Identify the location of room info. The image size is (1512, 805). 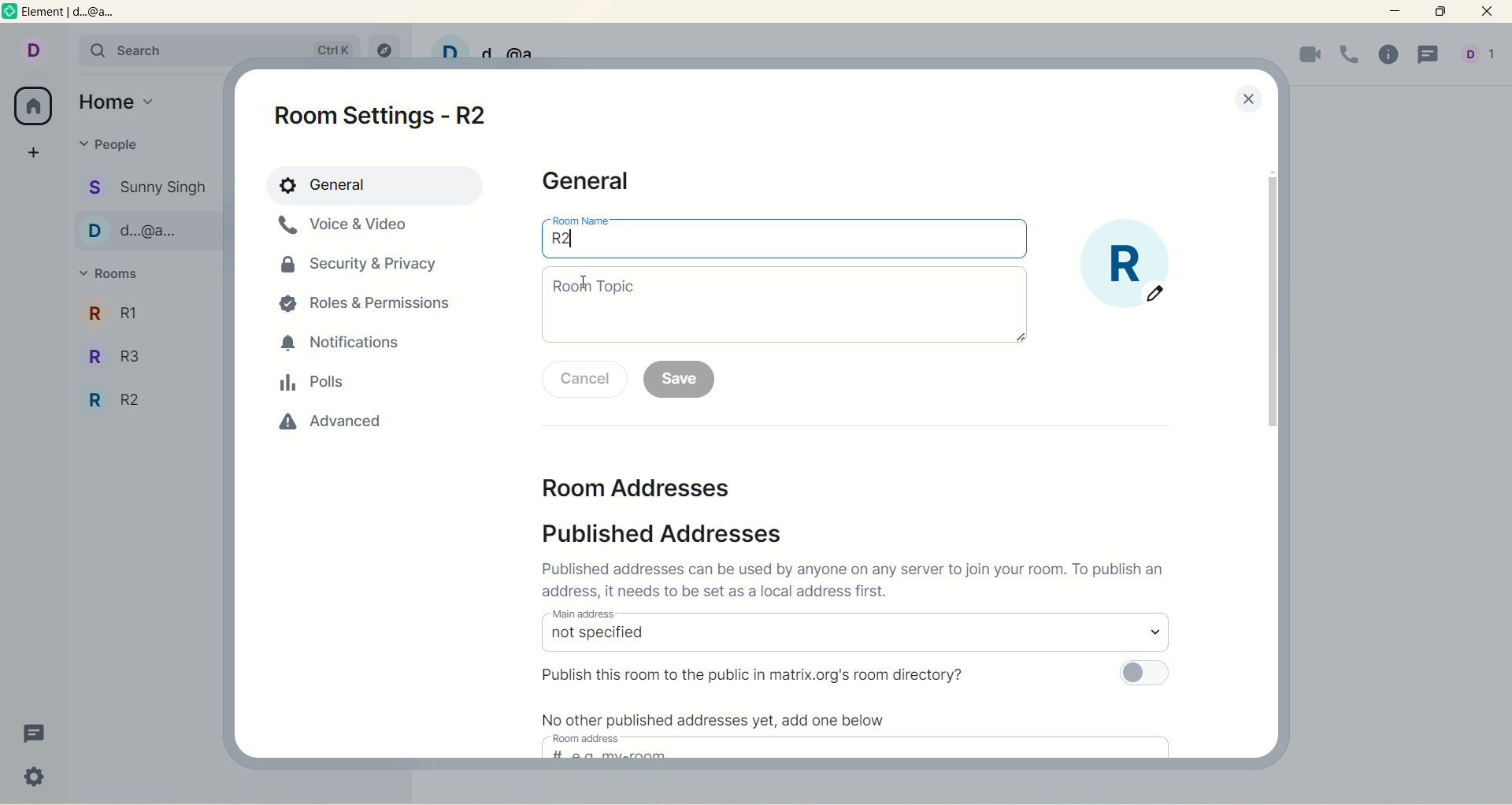
(1392, 56).